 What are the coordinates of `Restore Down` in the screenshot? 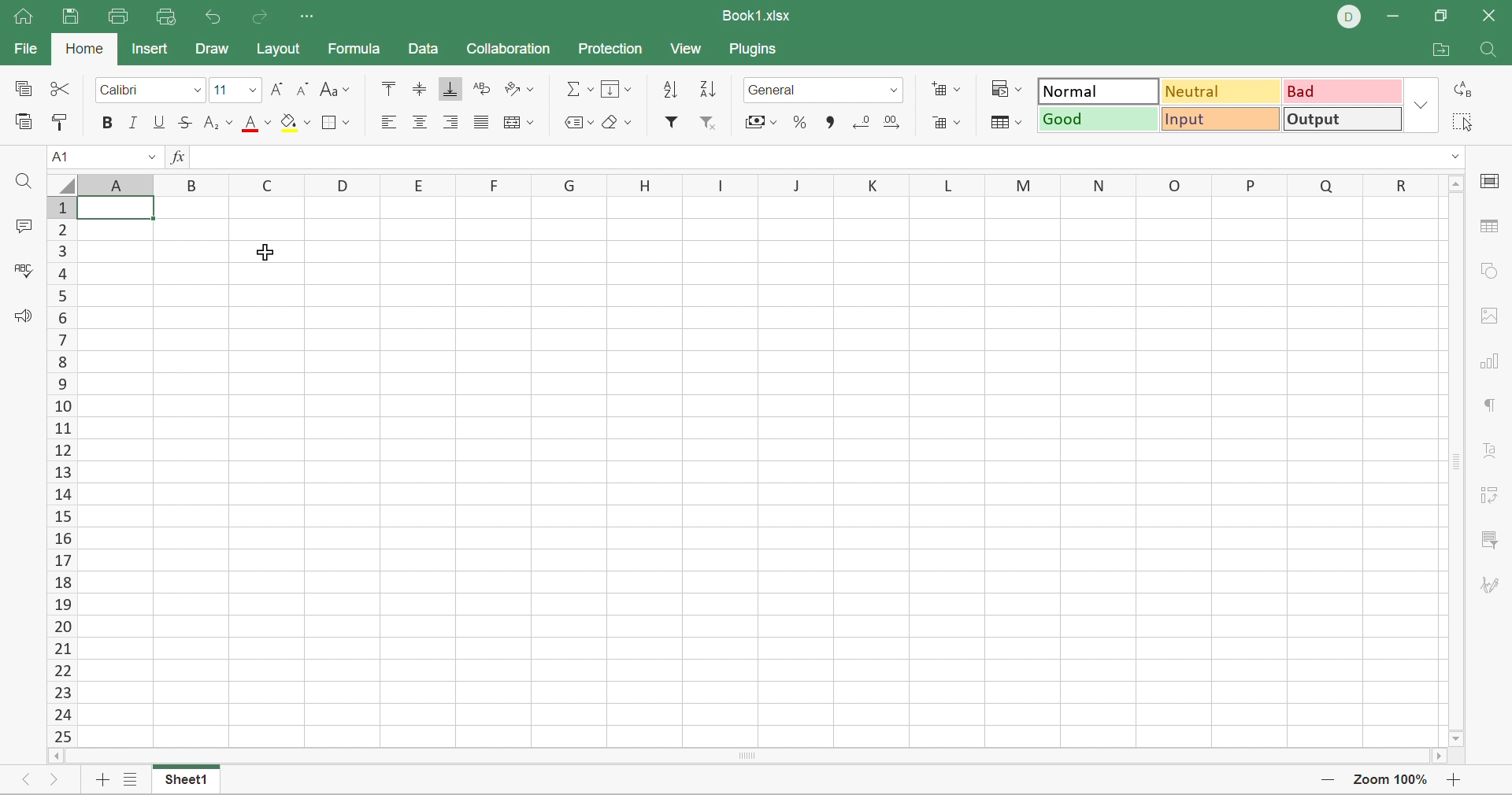 It's located at (1443, 14).